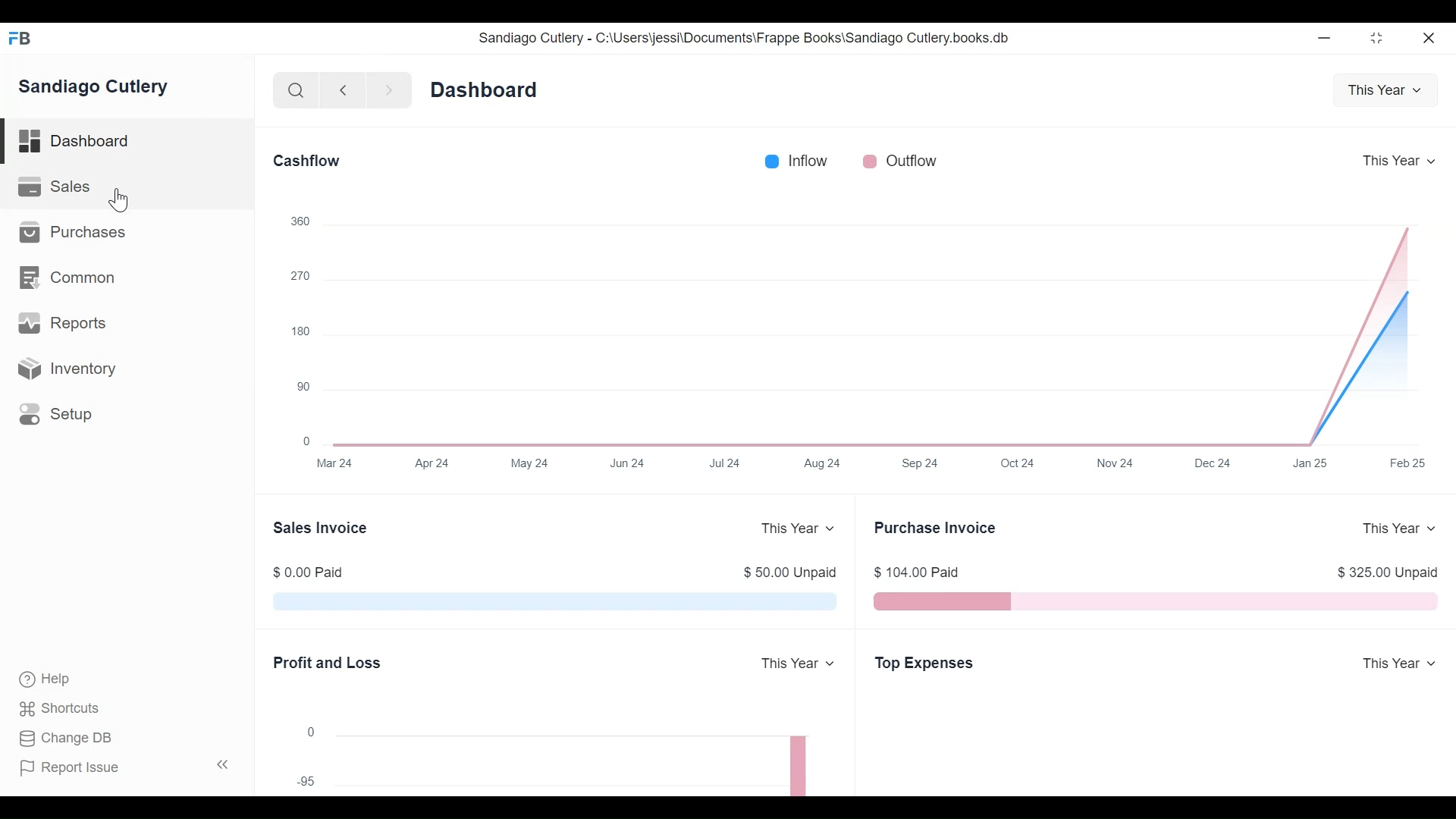 This screenshot has height=819, width=1456. Describe the element at coordinates (934, 526) in the screenshot. I see `Purchase Invoice` at that location.